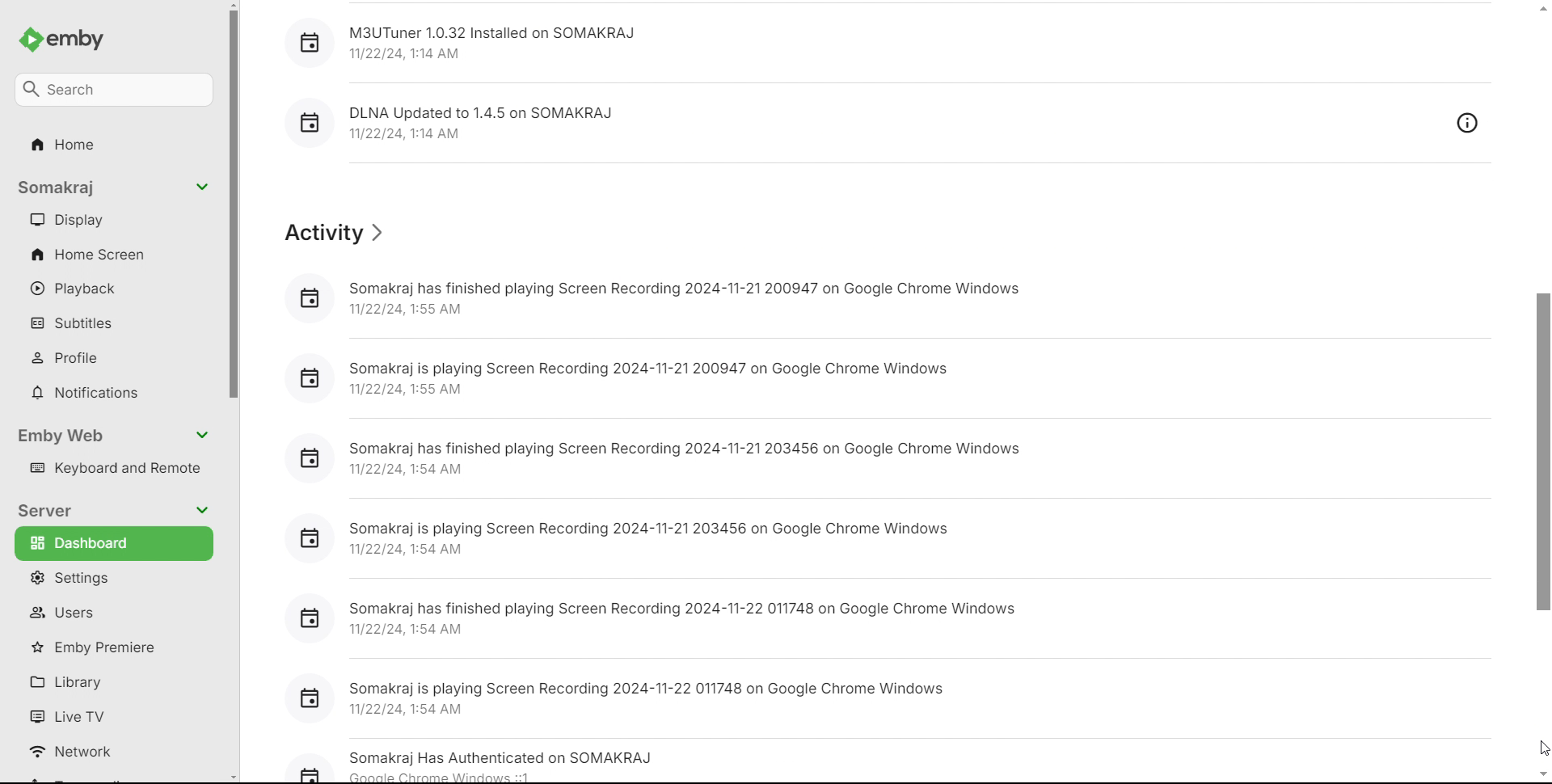 The width and height of the screenshot is (1552, 784). Describe the element at coordinates (113, 509) in the screenshot. I see `server` at that location.